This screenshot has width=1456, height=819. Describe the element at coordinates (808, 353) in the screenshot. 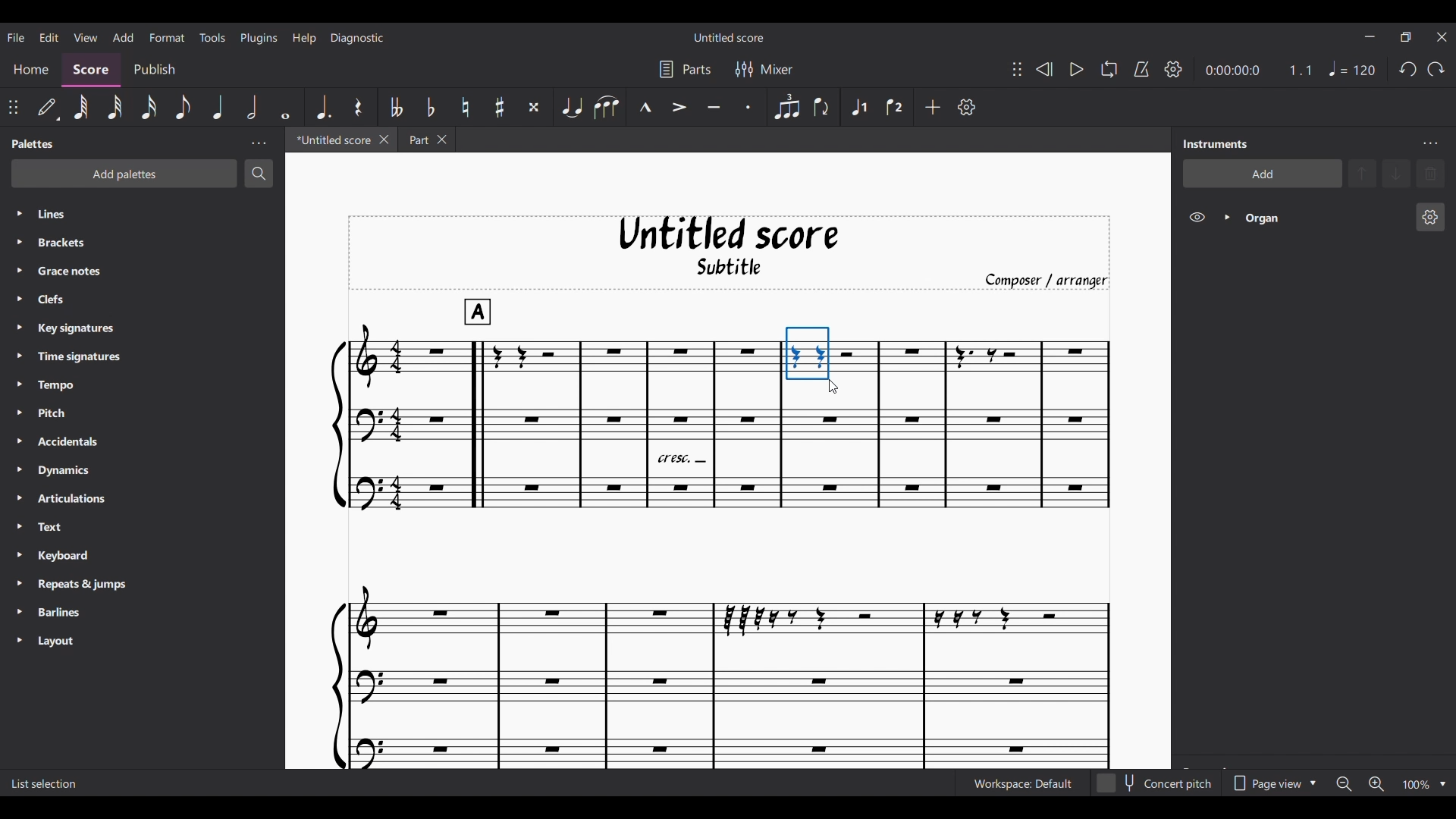

I see `Portion selected by cursor` at that location.